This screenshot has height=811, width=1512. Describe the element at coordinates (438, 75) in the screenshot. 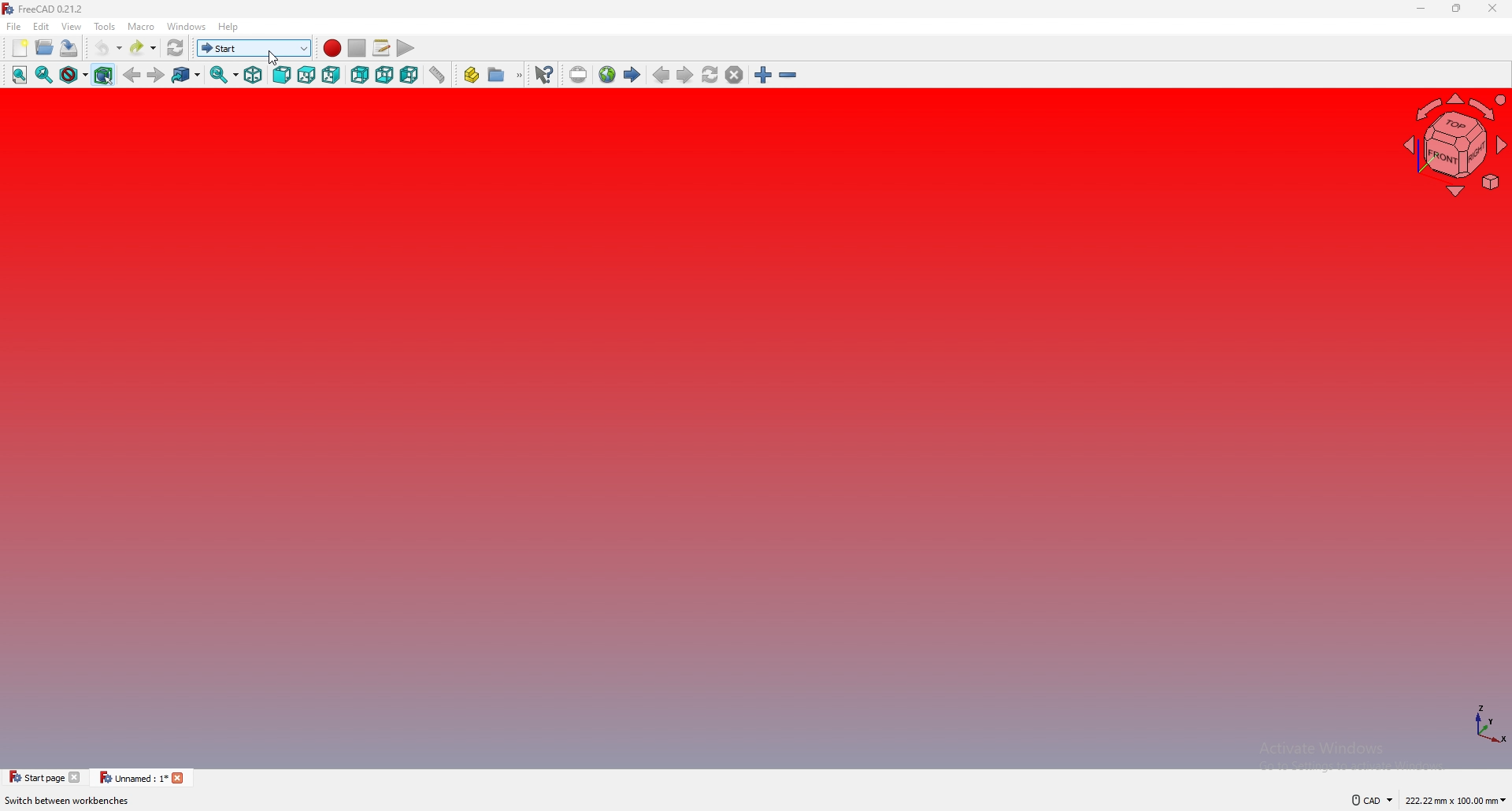

I see `measure distance` at that location.